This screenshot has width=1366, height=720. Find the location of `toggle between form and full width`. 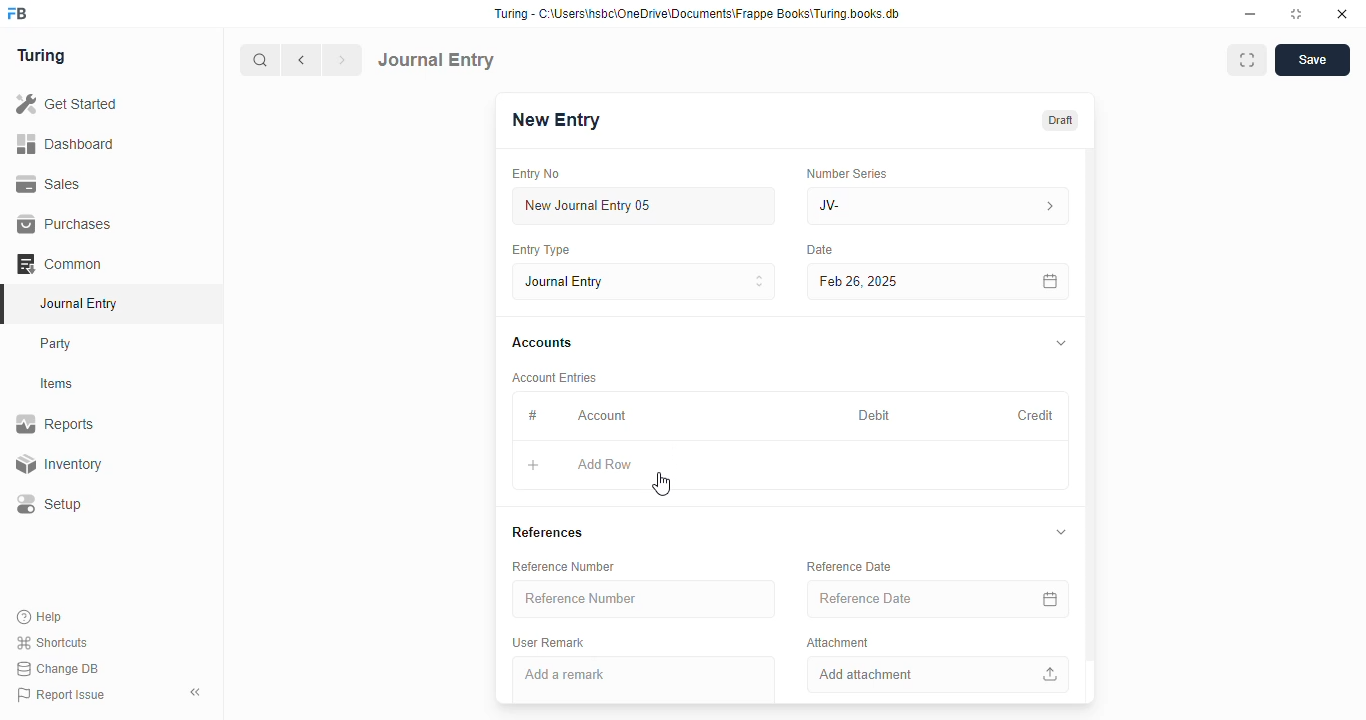

toggle between form and full width is located at coordinates (1246, 60).